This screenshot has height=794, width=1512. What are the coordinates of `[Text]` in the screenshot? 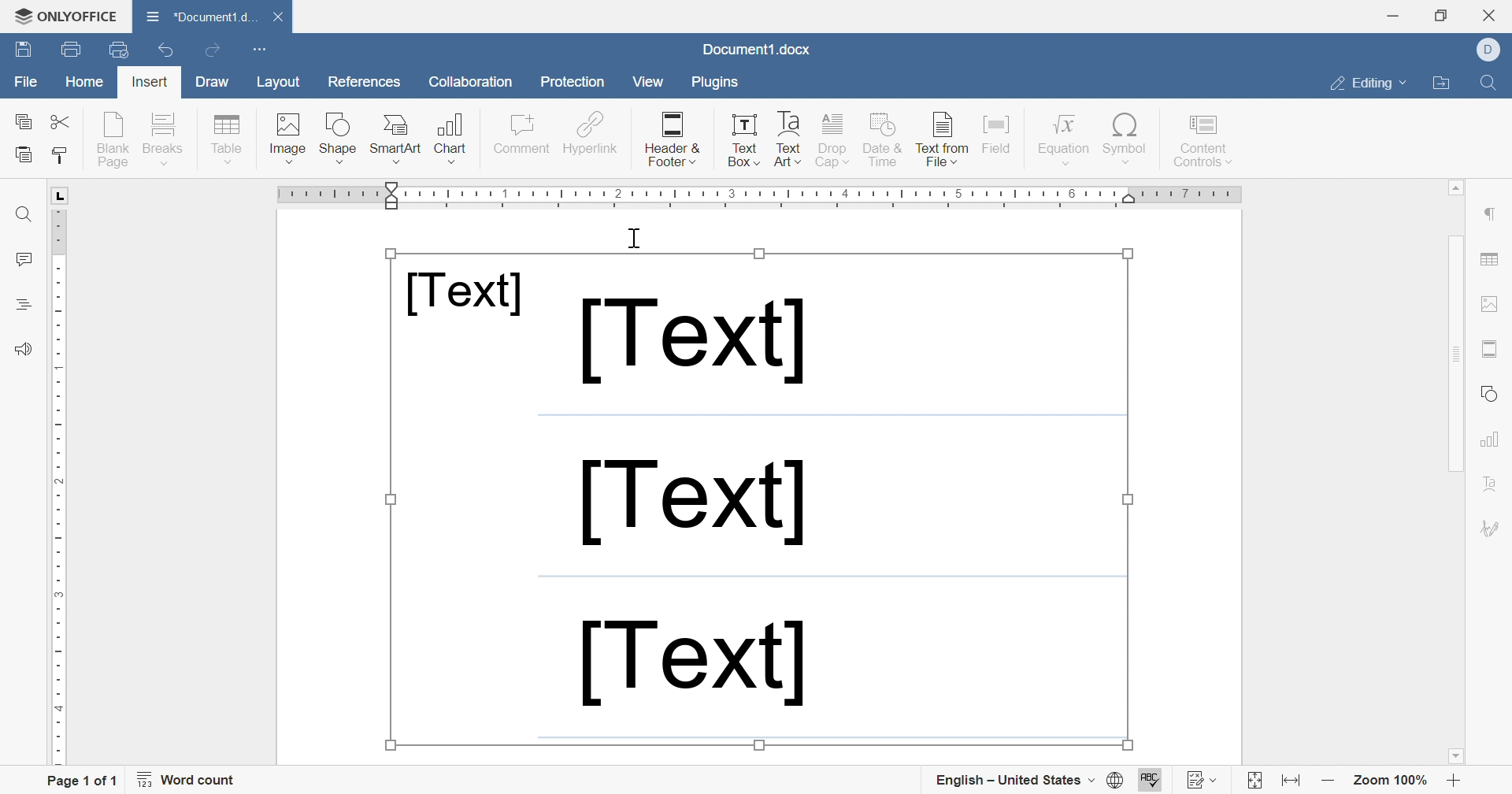 It's located at (691, 506).